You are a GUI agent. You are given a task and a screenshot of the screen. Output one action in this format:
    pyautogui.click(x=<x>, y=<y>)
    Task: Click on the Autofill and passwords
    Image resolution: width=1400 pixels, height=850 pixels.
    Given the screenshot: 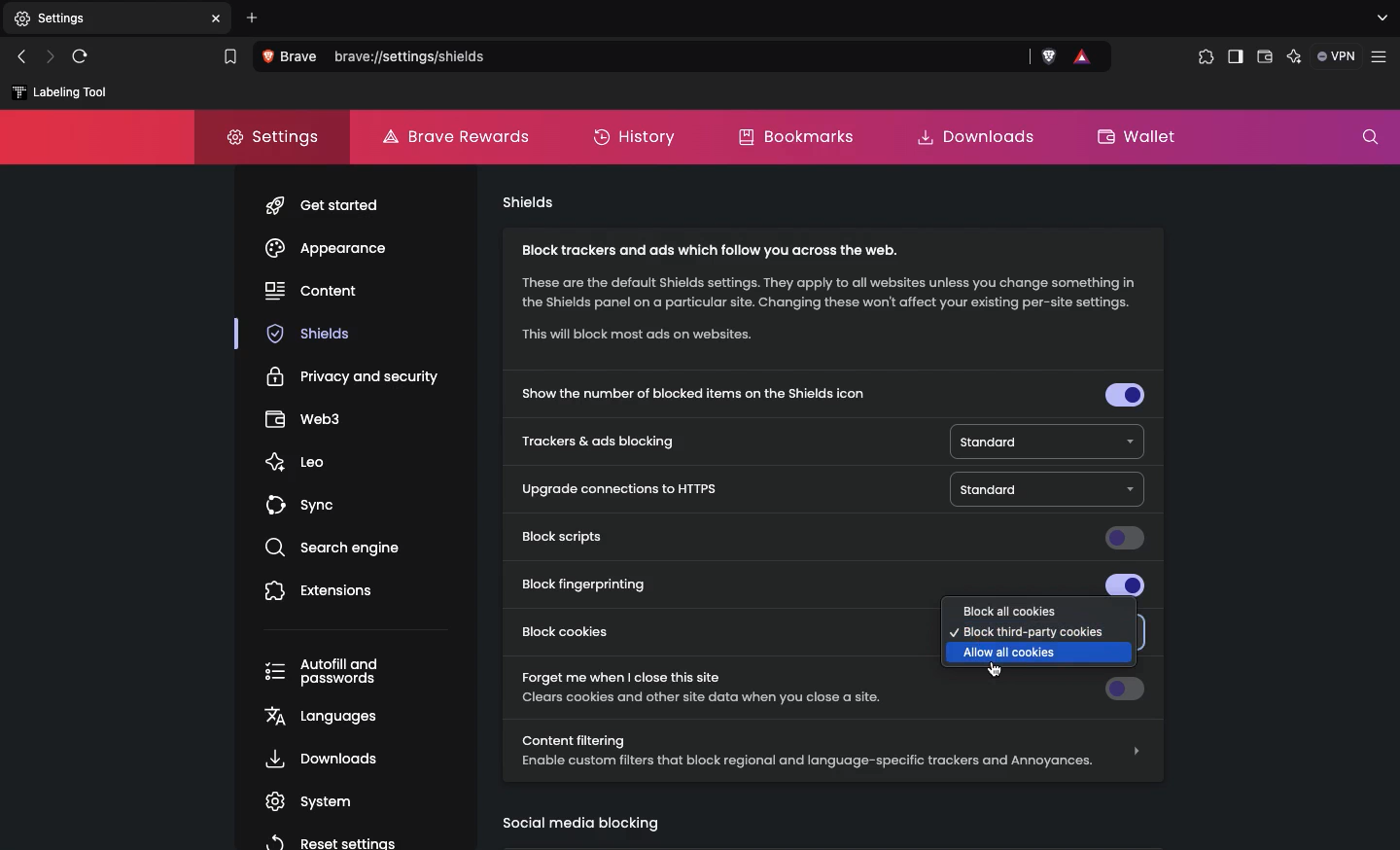 What is the action you would take?
    pyautogui.click(x=321, y=676)
    